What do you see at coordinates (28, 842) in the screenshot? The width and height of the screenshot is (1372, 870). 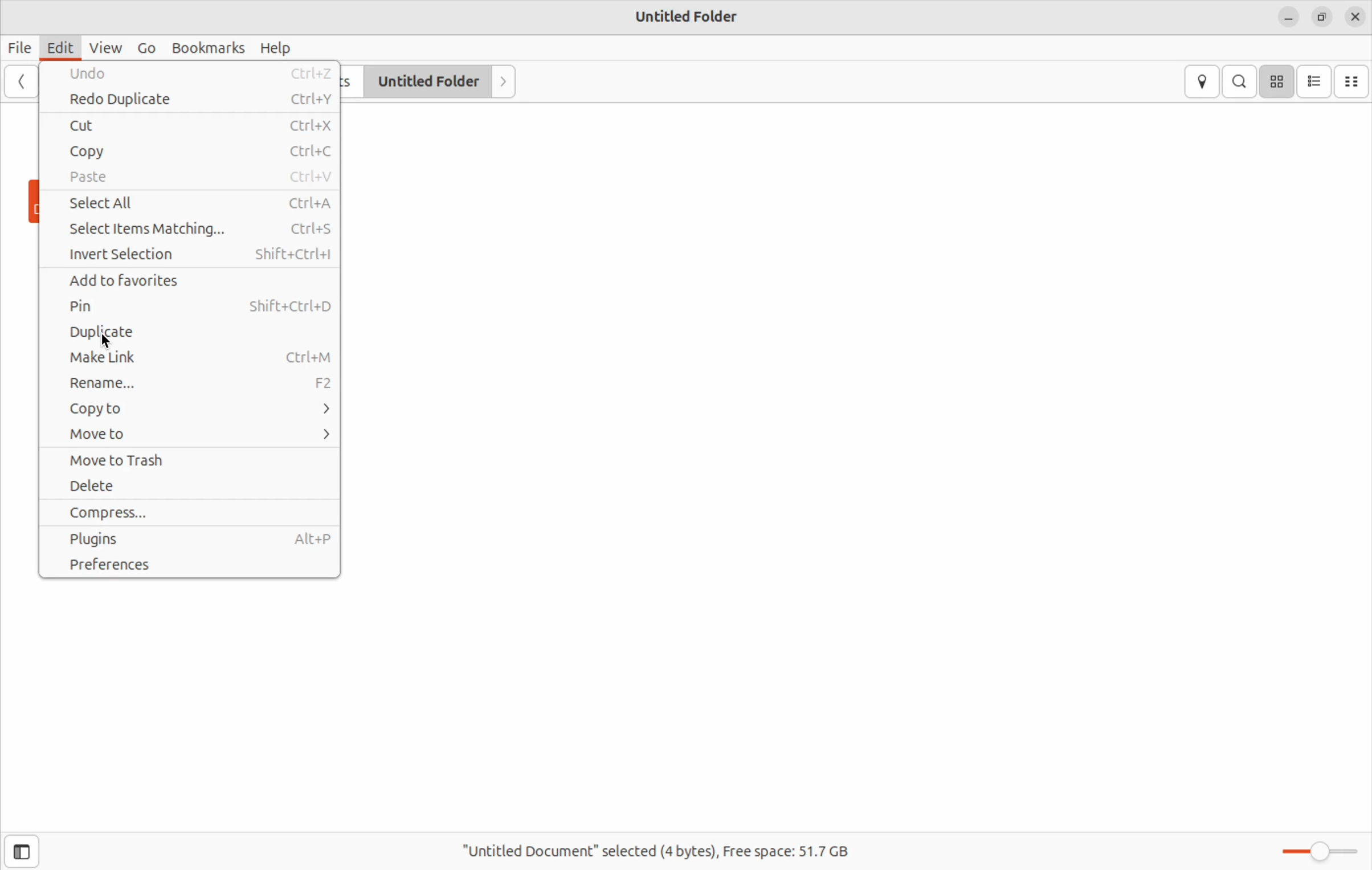 I see `sidebar` at bounding box center [28, 842].